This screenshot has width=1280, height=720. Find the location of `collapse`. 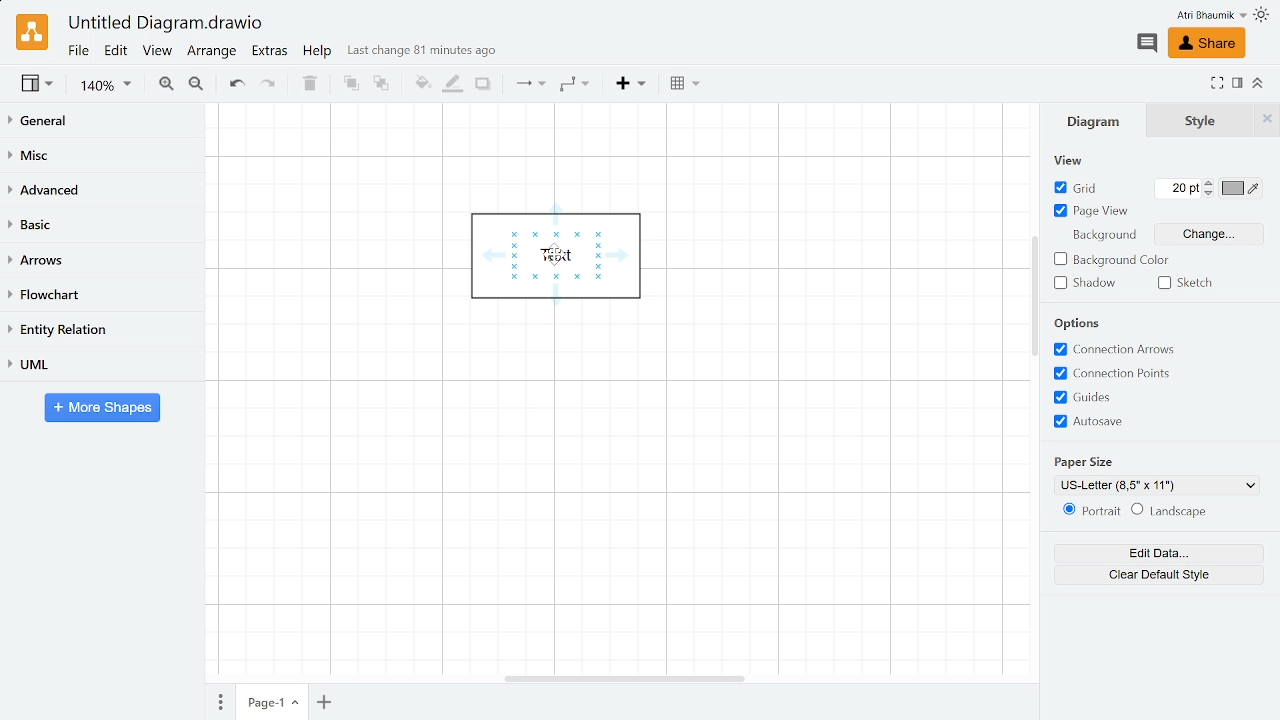

collapse is located at coordinates (1258, 82).